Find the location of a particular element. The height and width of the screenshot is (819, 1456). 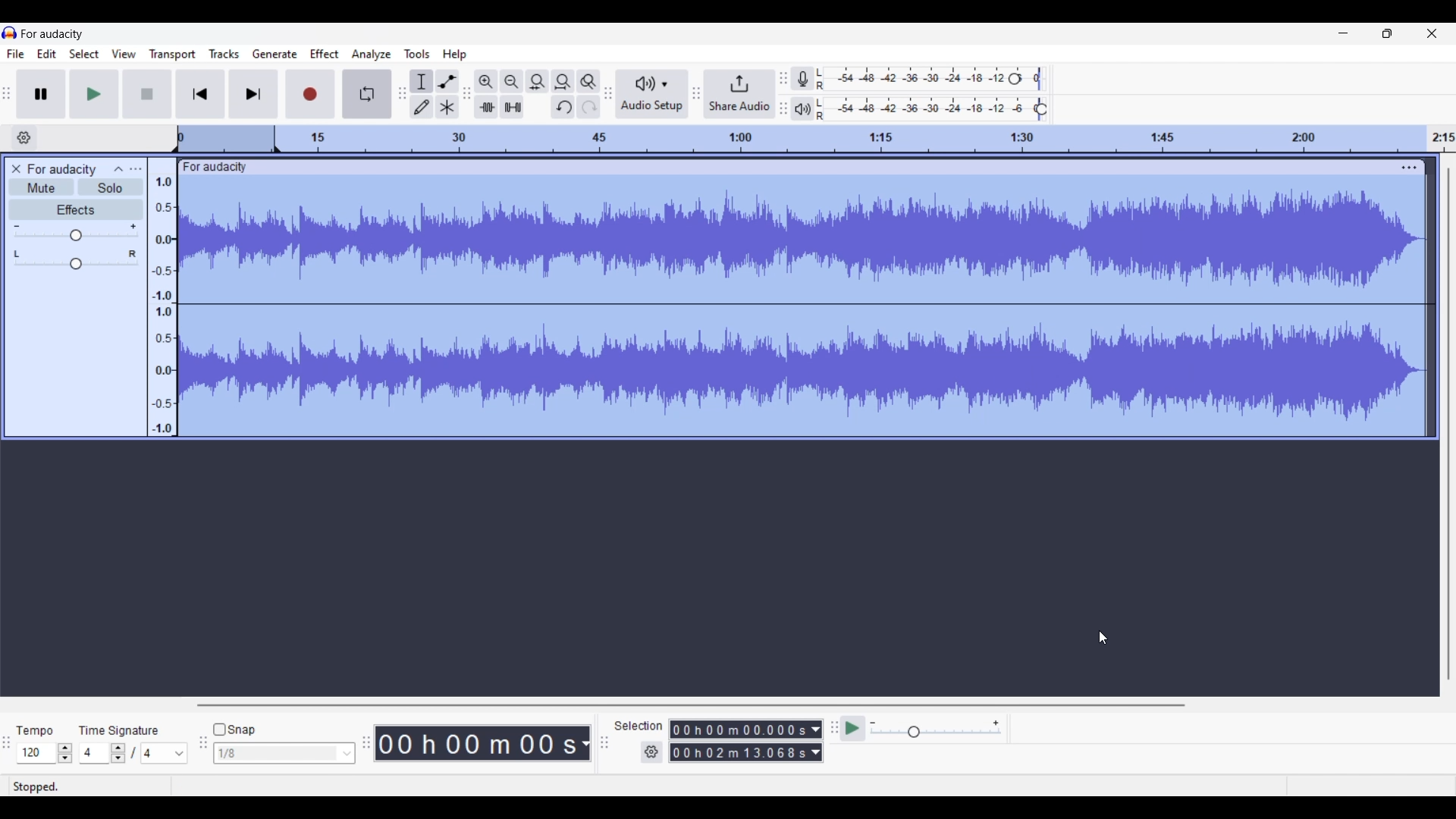

Transport menu is located at coordinates (172, 55).